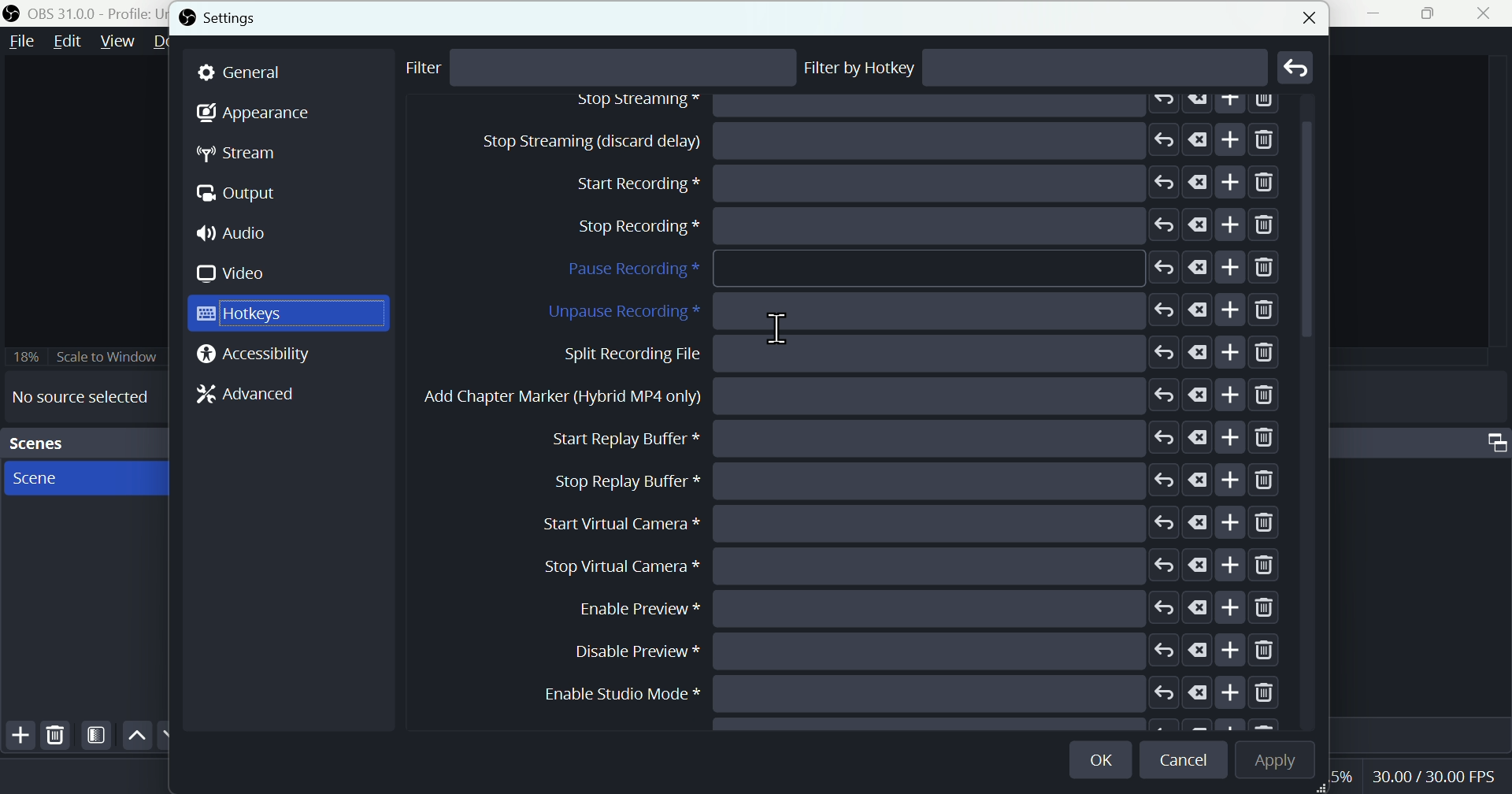 The width and height of the screenshot is (1512, 794). I want to click on Disable preview, so click(922, 655).